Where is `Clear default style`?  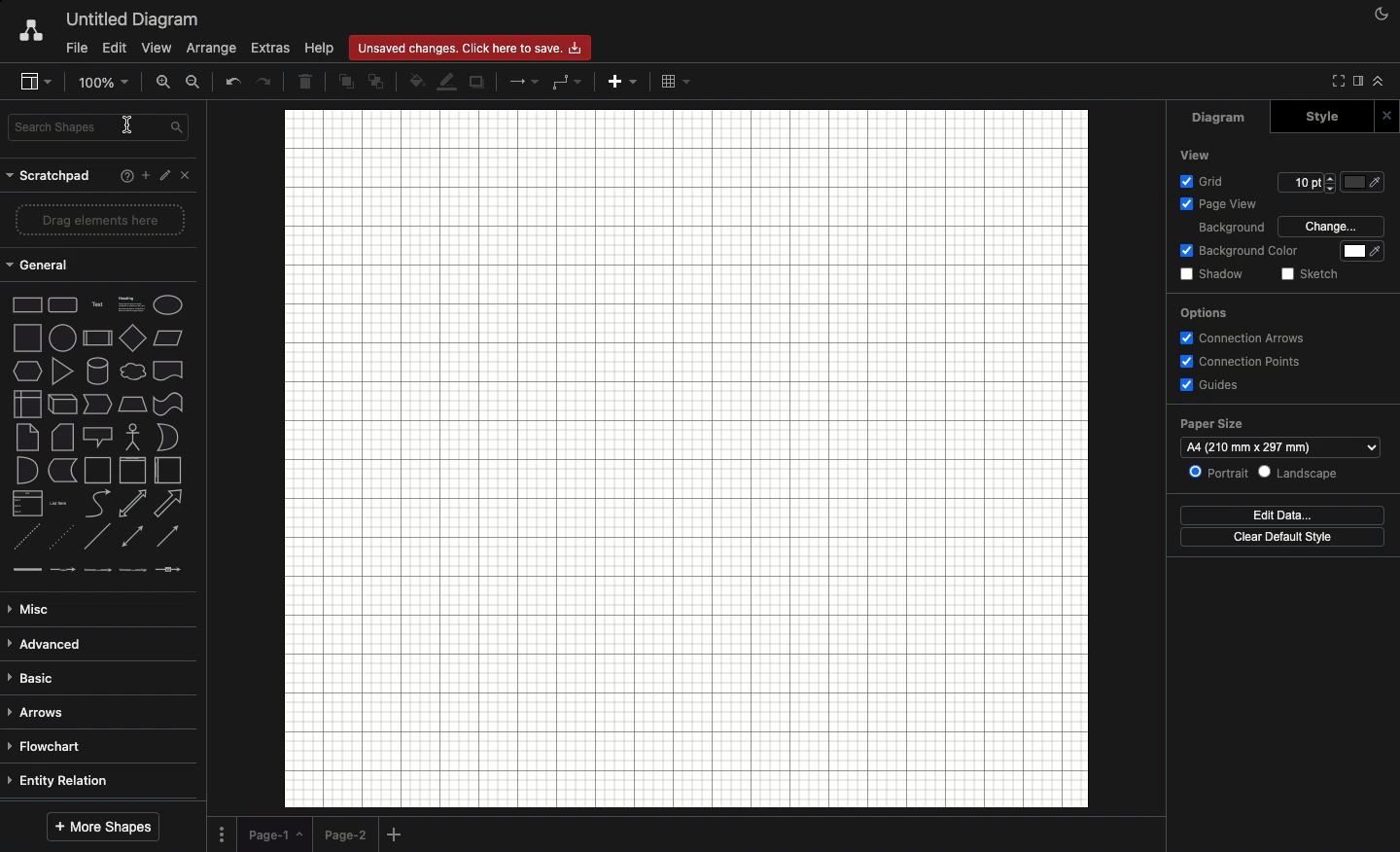
Clear default style is located at coordinates (1263, 539).